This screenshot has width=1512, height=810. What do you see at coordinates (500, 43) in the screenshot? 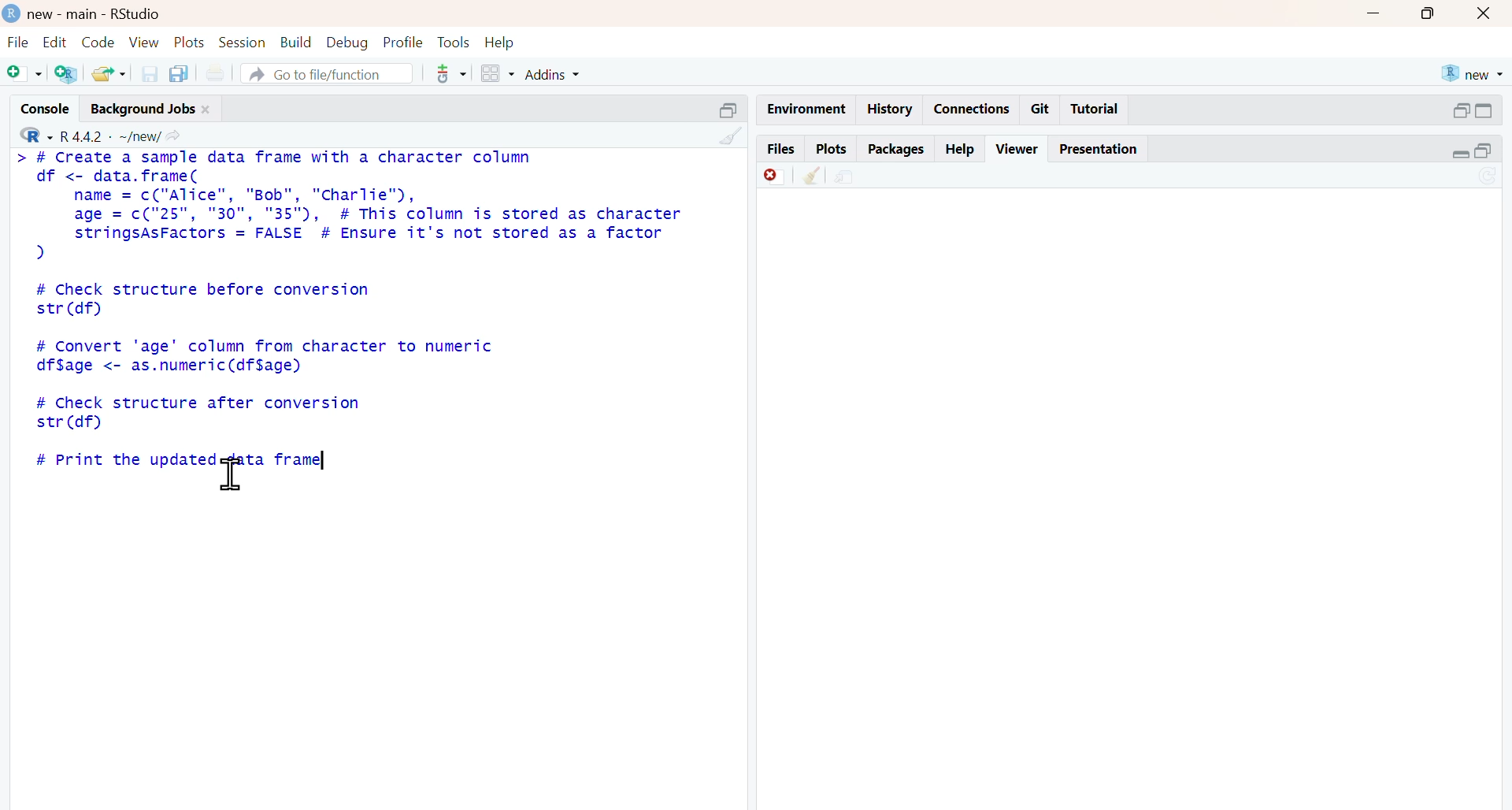
I see `help` at bounding box center [500, 43].